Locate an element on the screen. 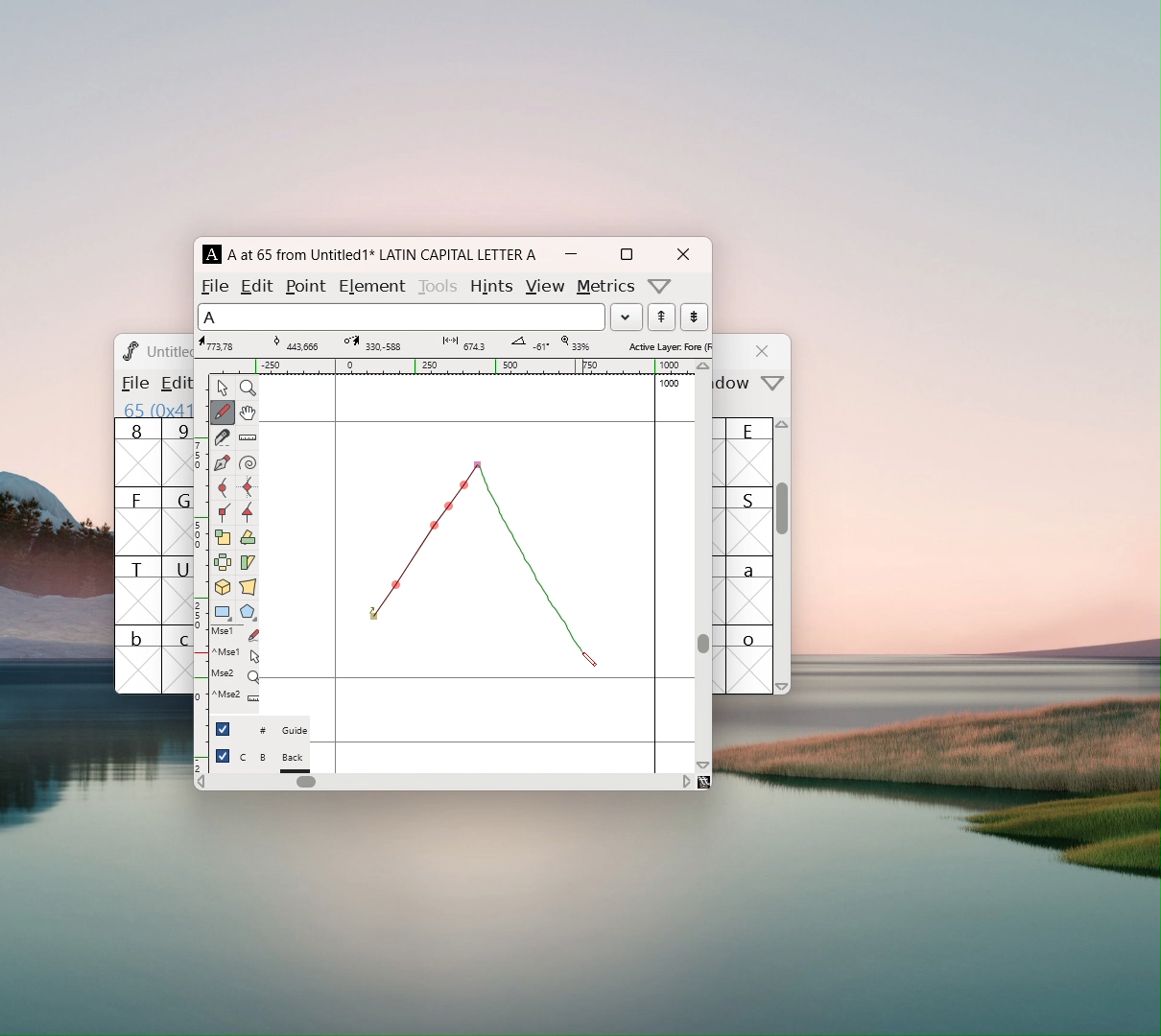 Image resolution: width=1161 pixels, height=1036 pixels. show the previous word in the wordlist is located at coordinates (694, 317).